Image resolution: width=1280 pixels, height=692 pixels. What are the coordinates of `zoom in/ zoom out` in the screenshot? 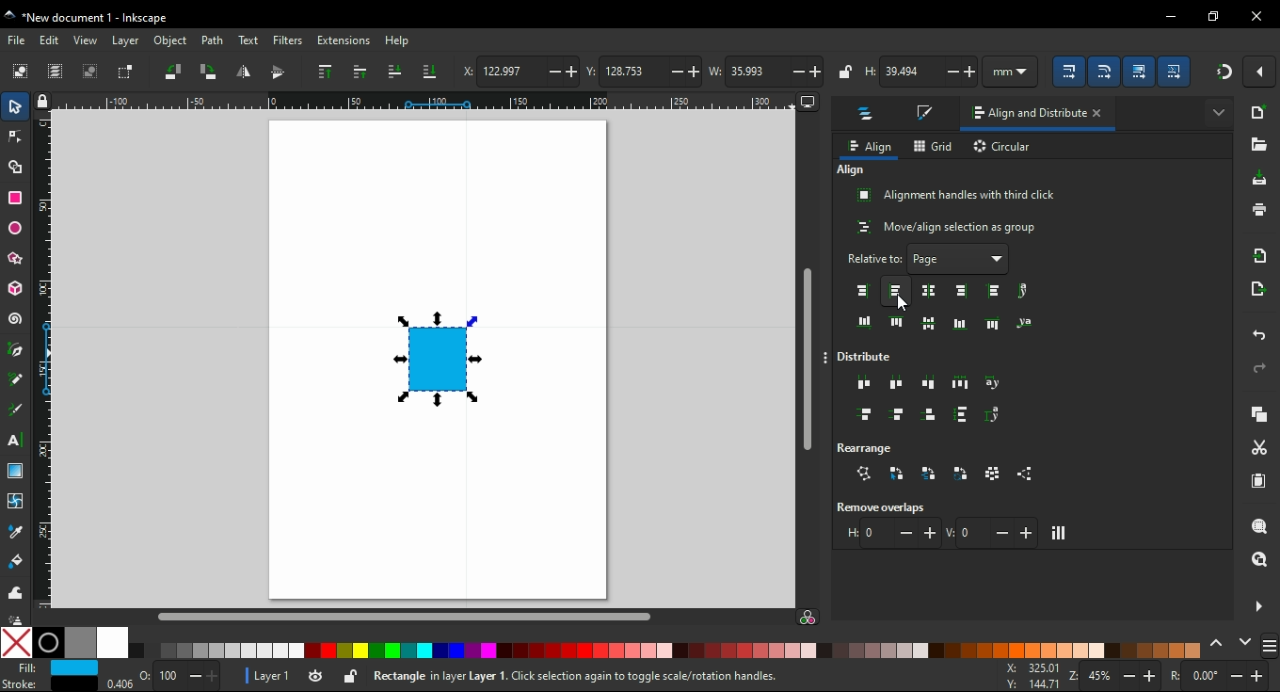 It's located at (1114, 675).